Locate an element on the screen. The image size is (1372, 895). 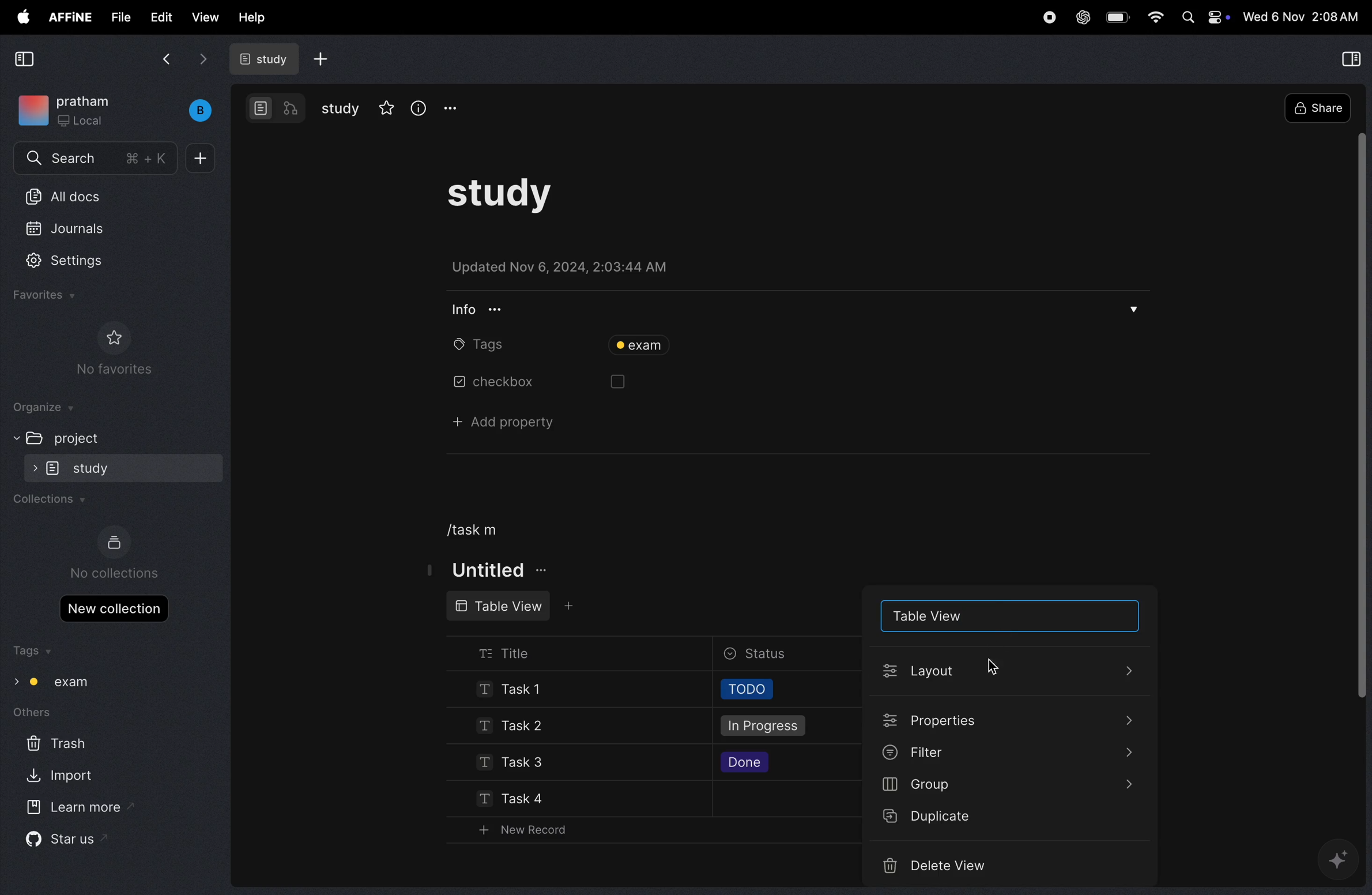
search is located at coordinates (96, 159).